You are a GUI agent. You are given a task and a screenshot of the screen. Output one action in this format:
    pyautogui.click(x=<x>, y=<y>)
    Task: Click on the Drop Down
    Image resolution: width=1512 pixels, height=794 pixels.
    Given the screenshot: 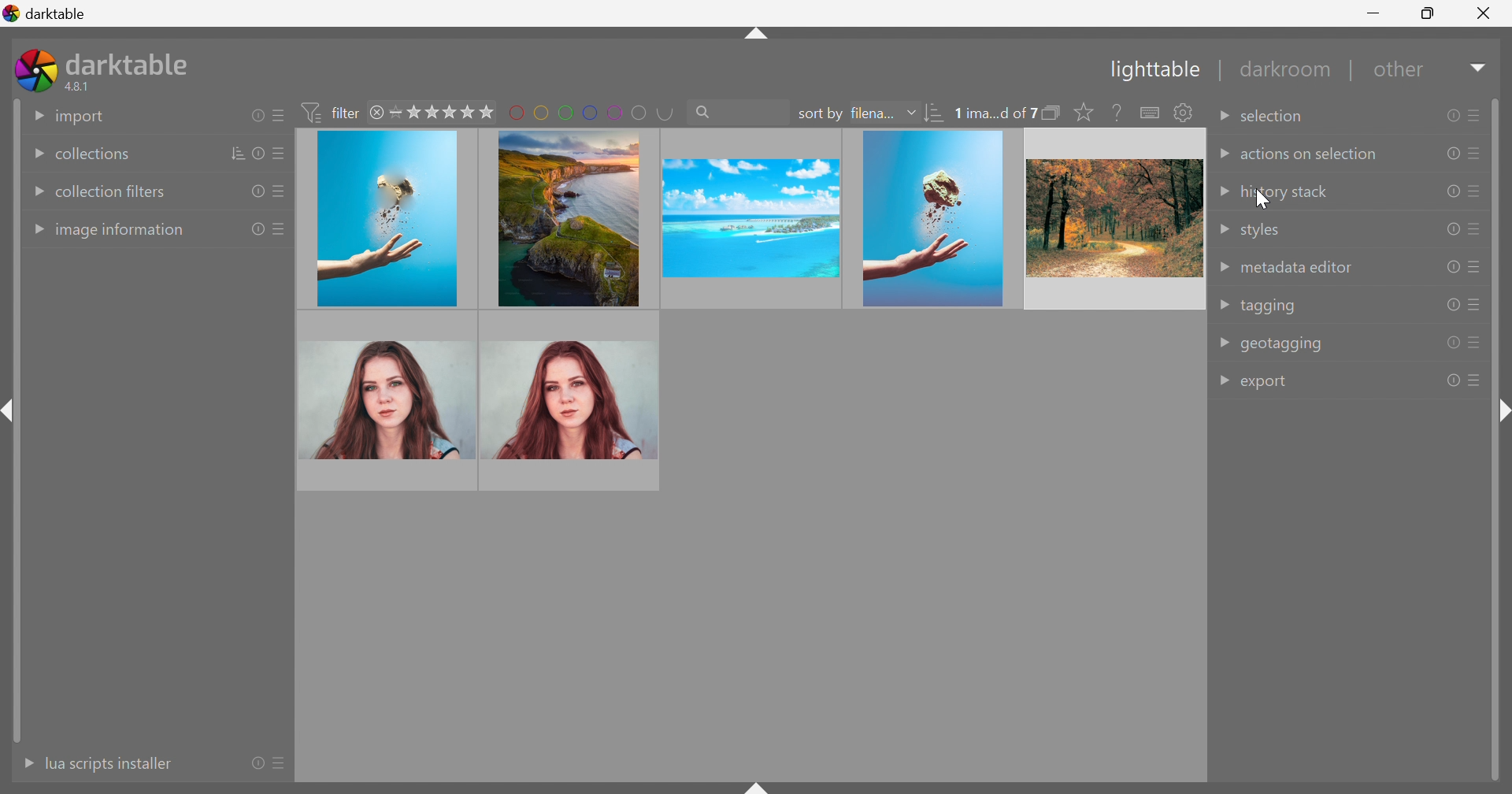 What is the action you would take?
    pyautogui.click(x=1222, y=154)
    